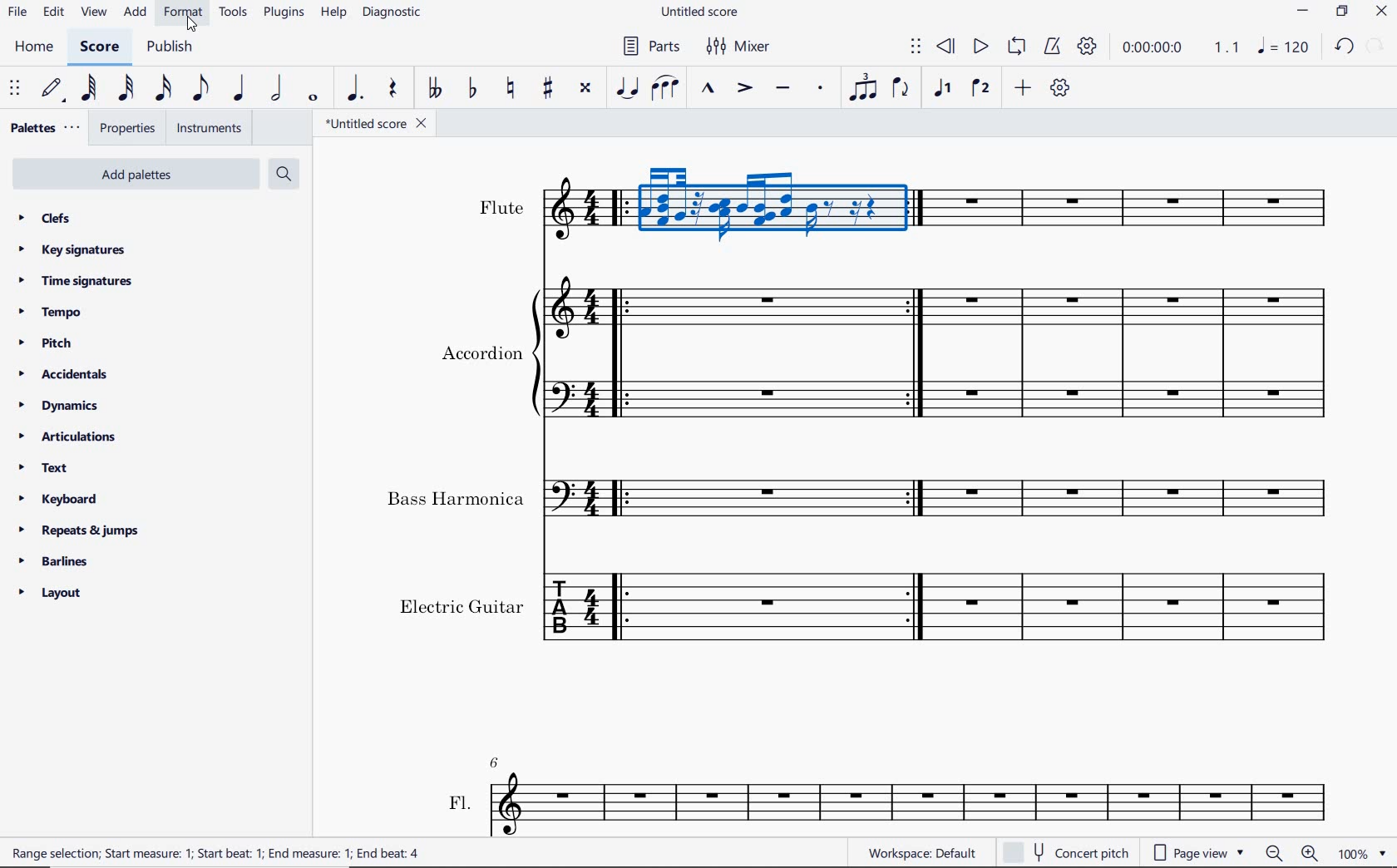 The width and height of the screenshot is (1397, 868). What do you see at coordinates (51, 593) in the screenshot?
I see `layout` at bounding box center [51, 593].